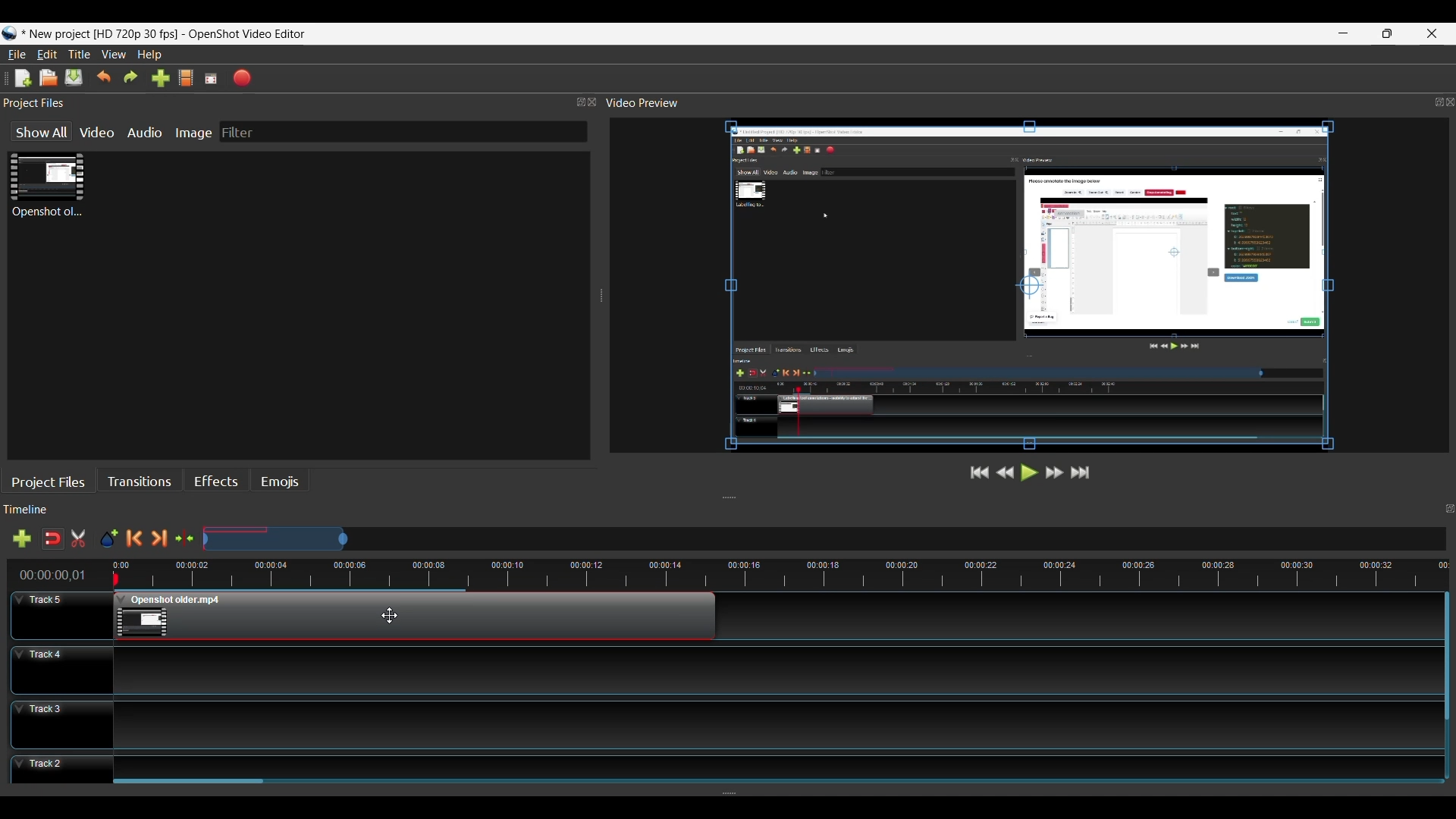  What do you see at coordinates (149, 55) in the screenshot?
I see `Help` at bounding box center [149, 55].